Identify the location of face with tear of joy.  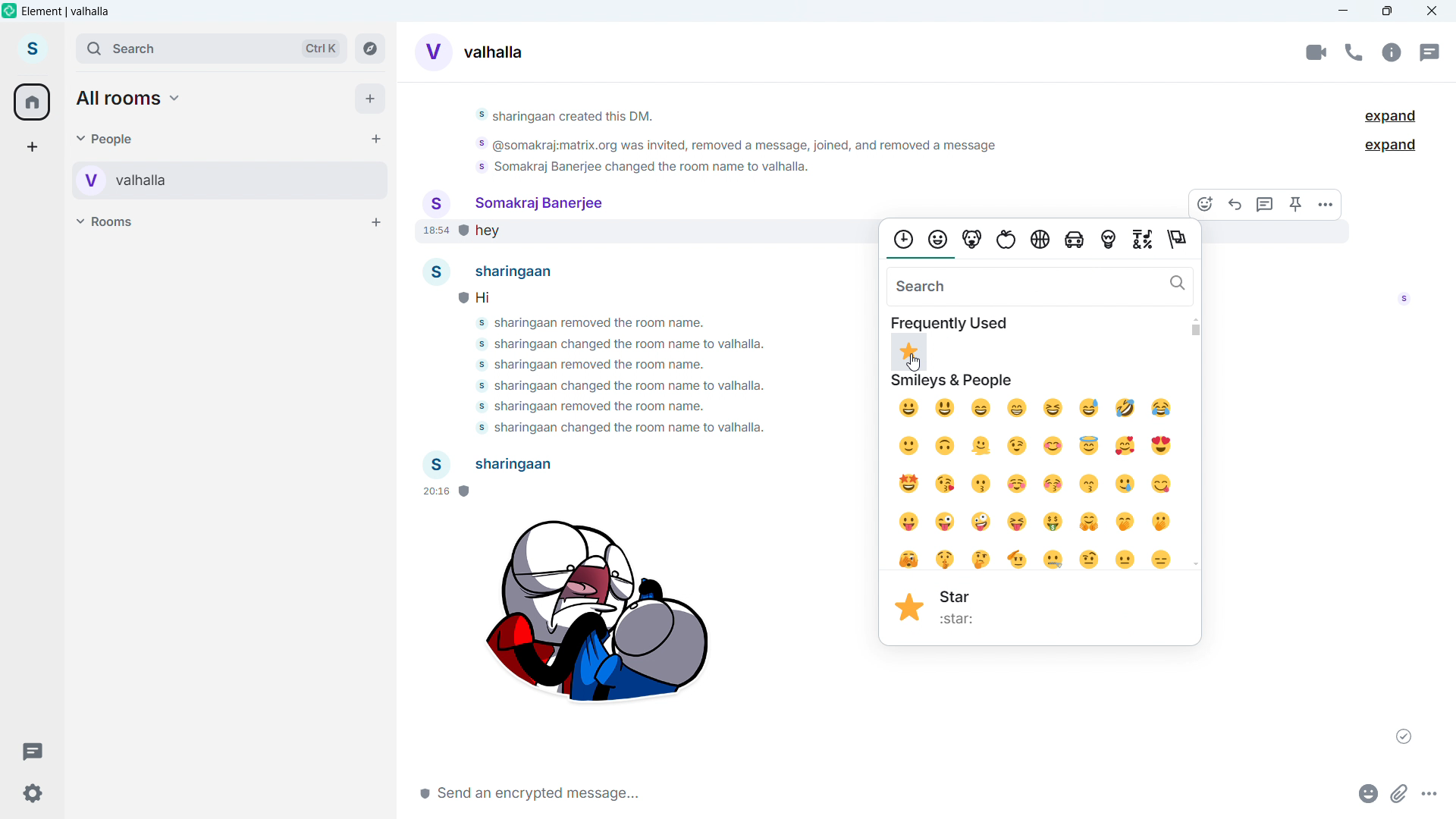
(1165, 409).